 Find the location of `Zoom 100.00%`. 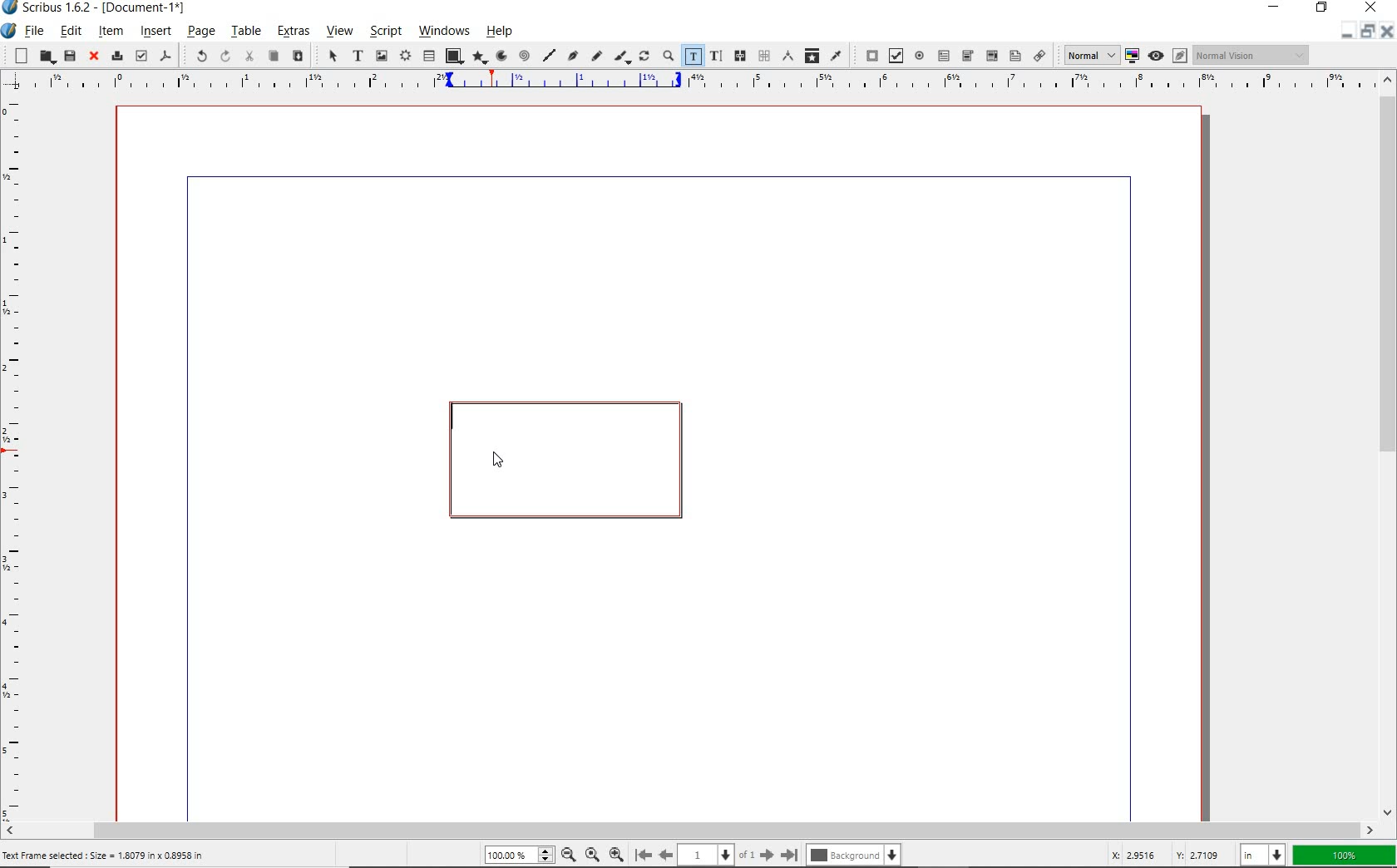

Zoom 100.00% is located at coordinates (520, 856).